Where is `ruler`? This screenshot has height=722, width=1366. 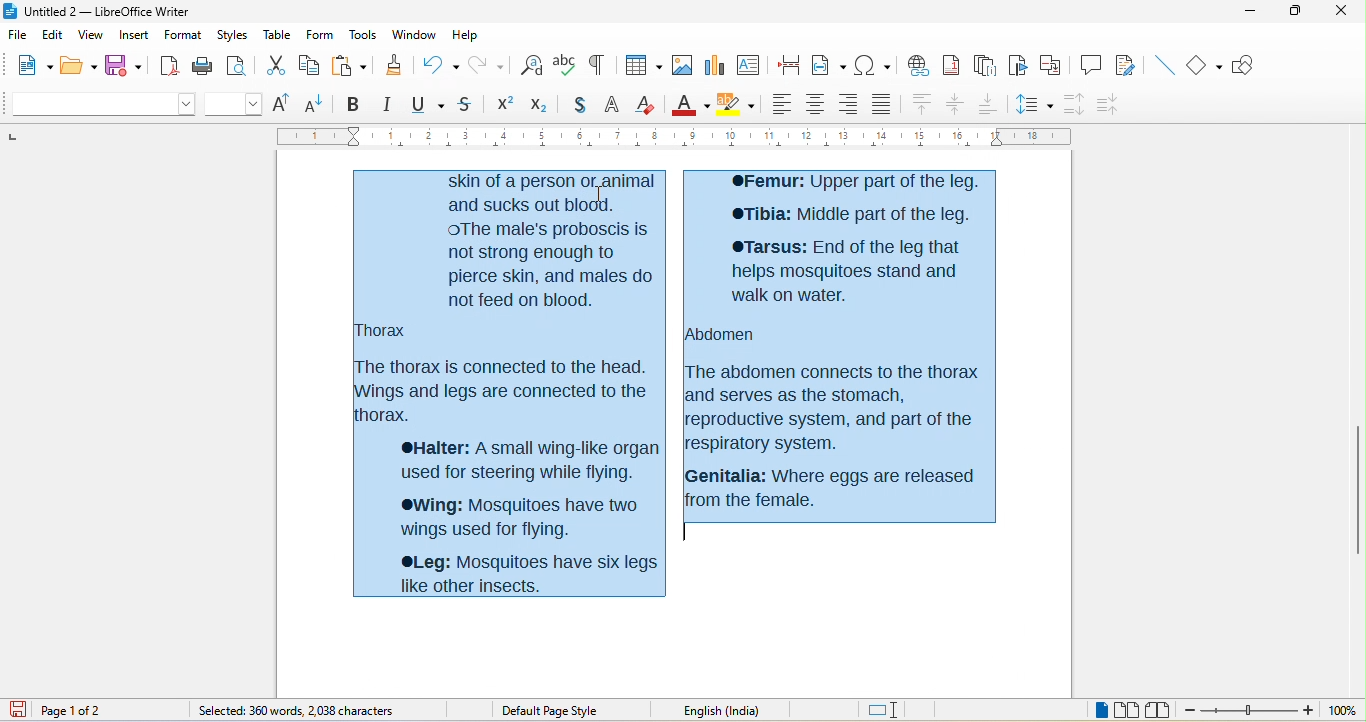
ruler is located at coordinates (682, 138).